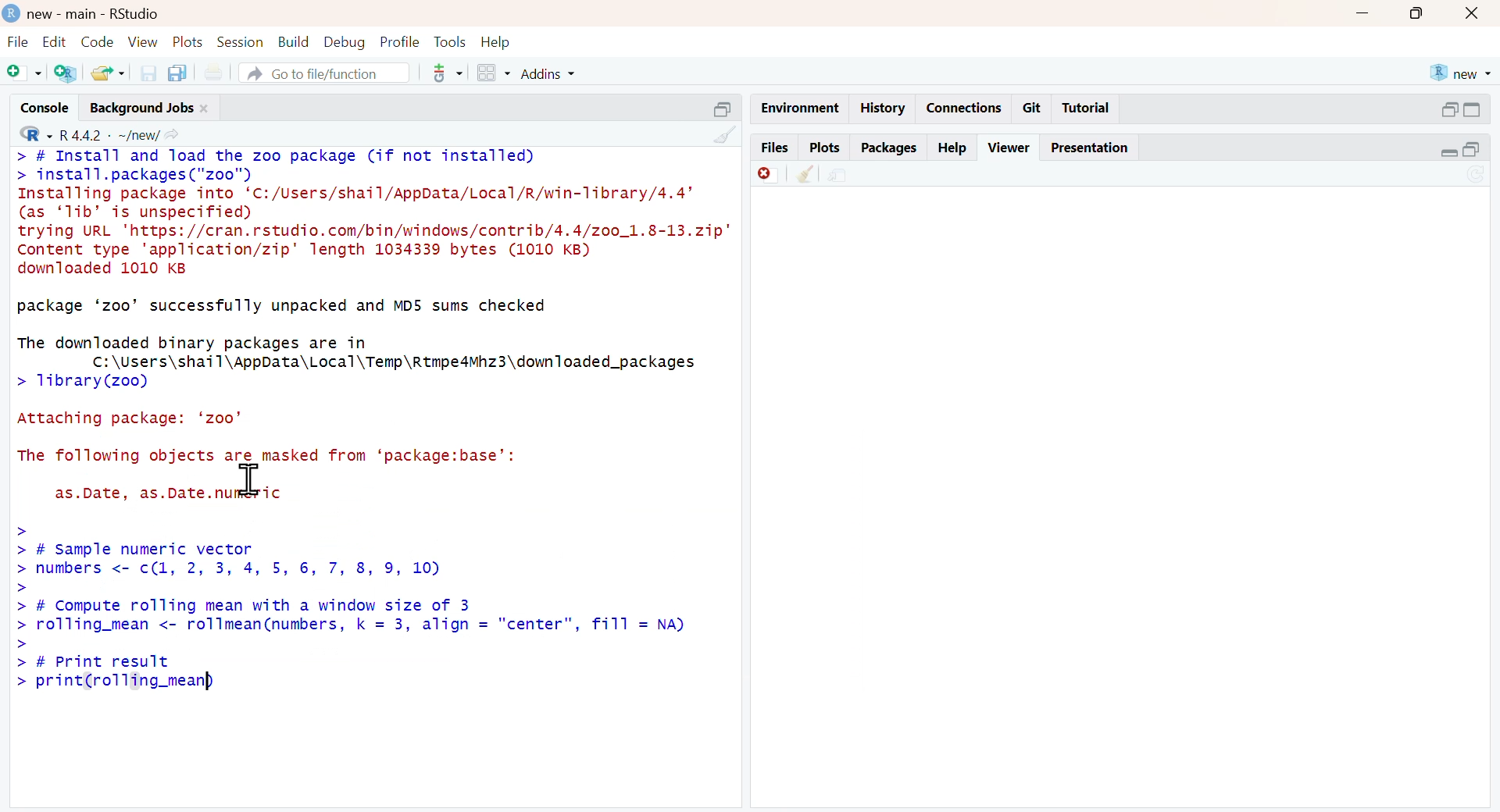 This screenshot has width=1500, height=812. I want to click on code, so click(97, 42).